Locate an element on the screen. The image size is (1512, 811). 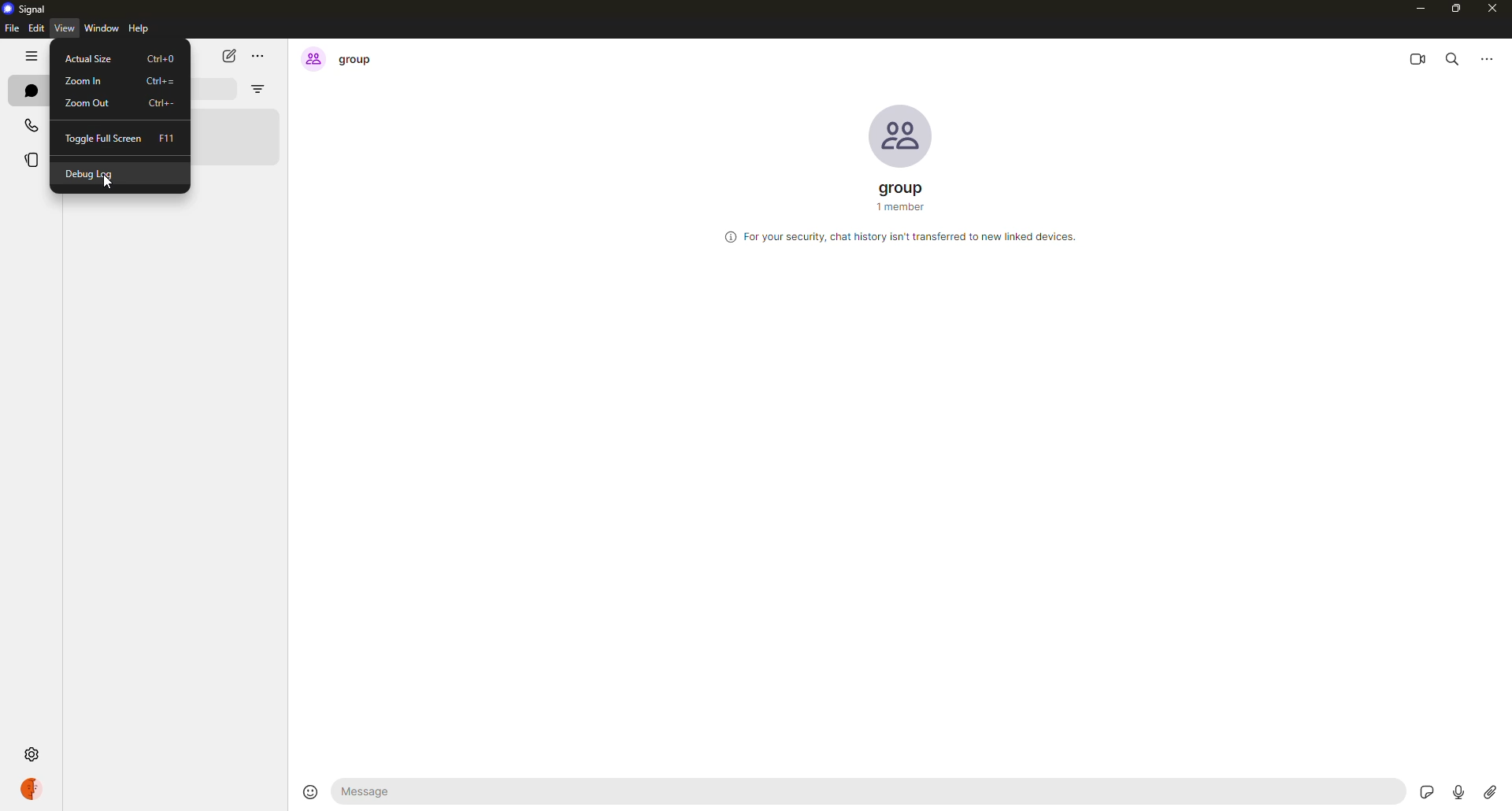
shortcut is located at coordinates (160, 80).